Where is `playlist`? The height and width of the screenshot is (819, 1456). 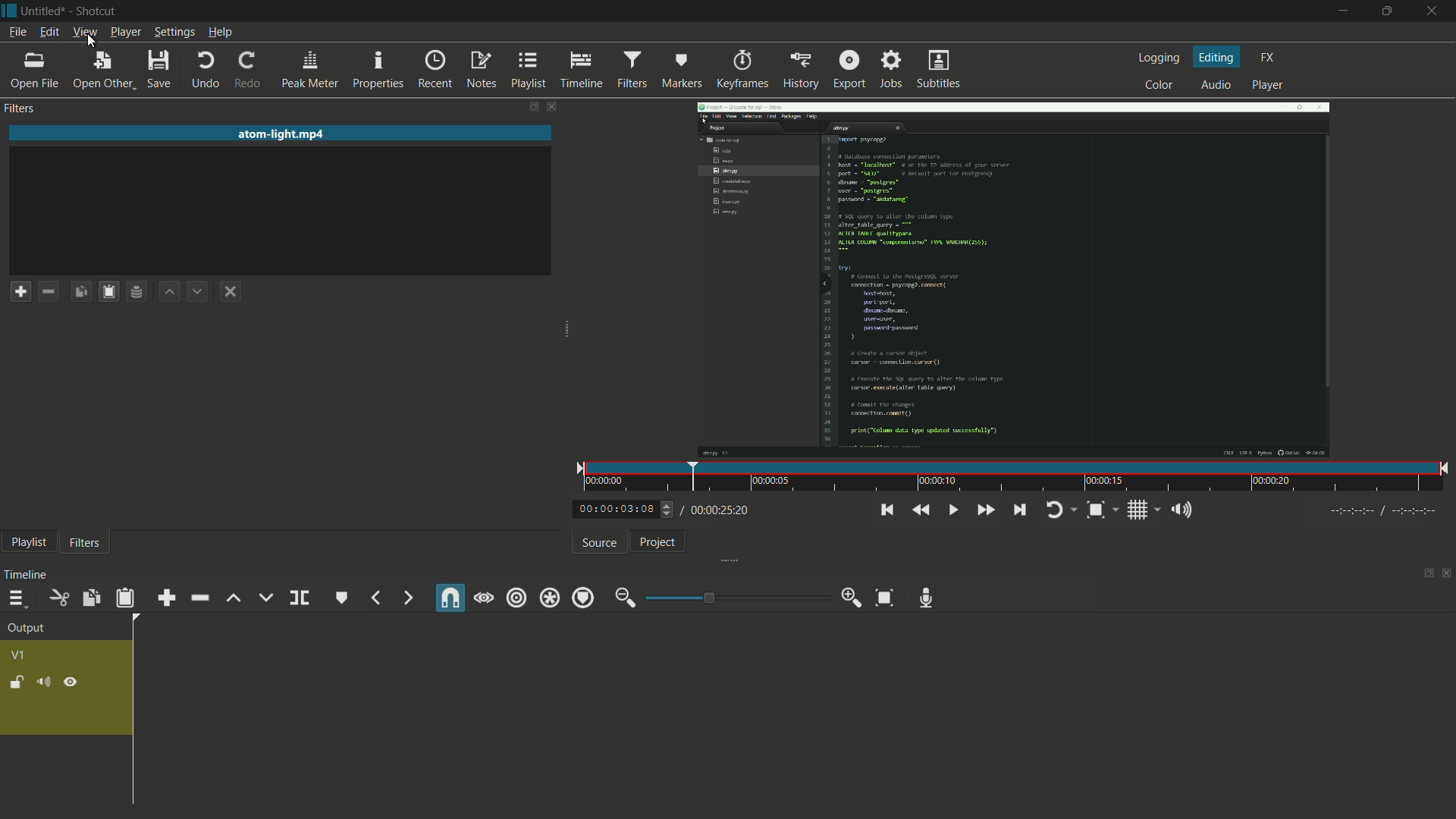
playlist is located at coordinates (527, 69).